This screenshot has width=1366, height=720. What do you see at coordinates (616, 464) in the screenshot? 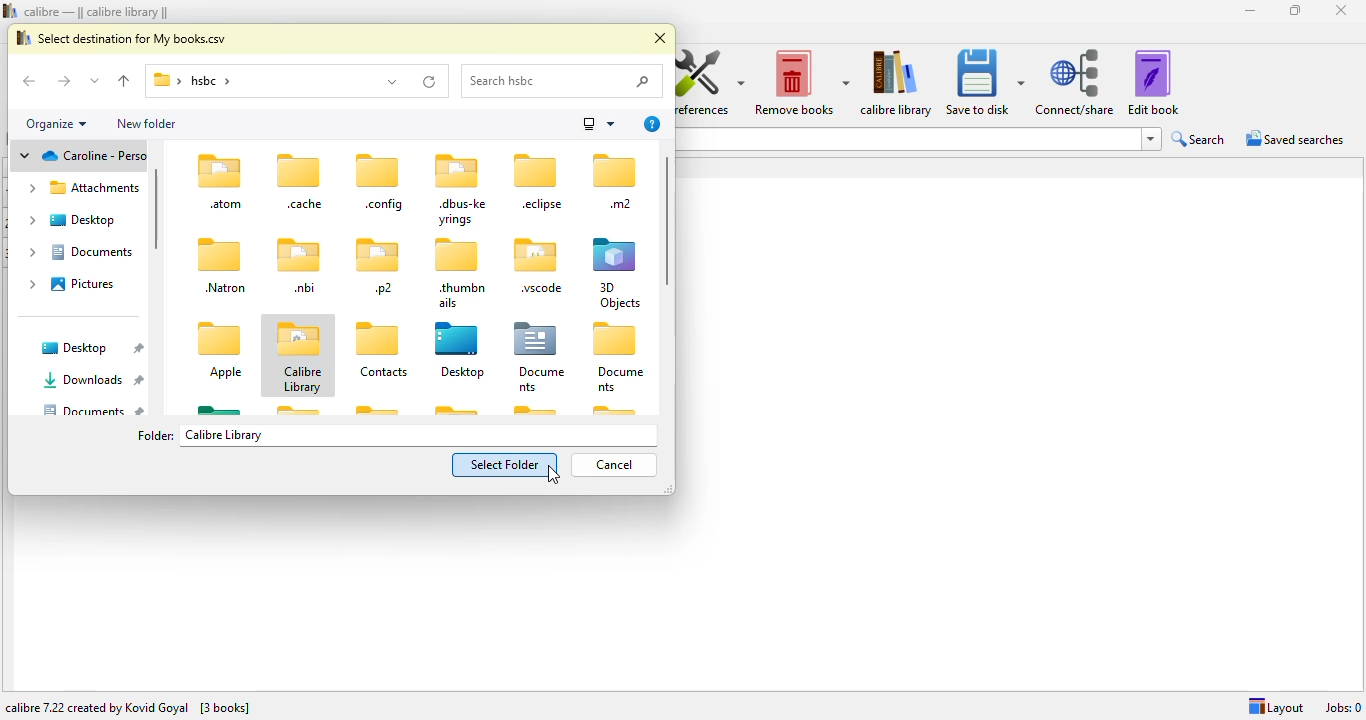
I see `cancel` at bounding box center [616, 464].